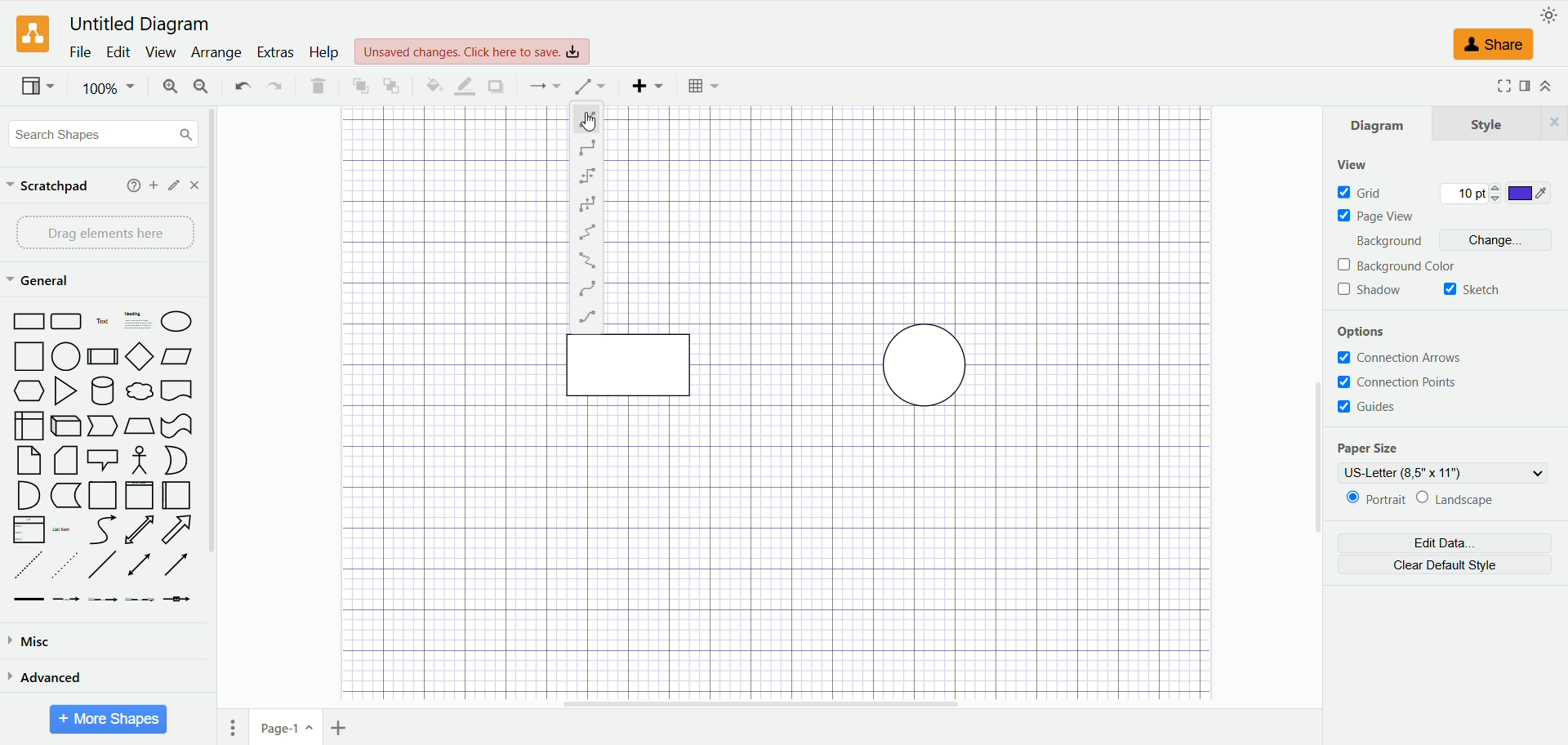 The height and width of the screenshot is (745, 1568). I want to click on format, so click(1527, 86).